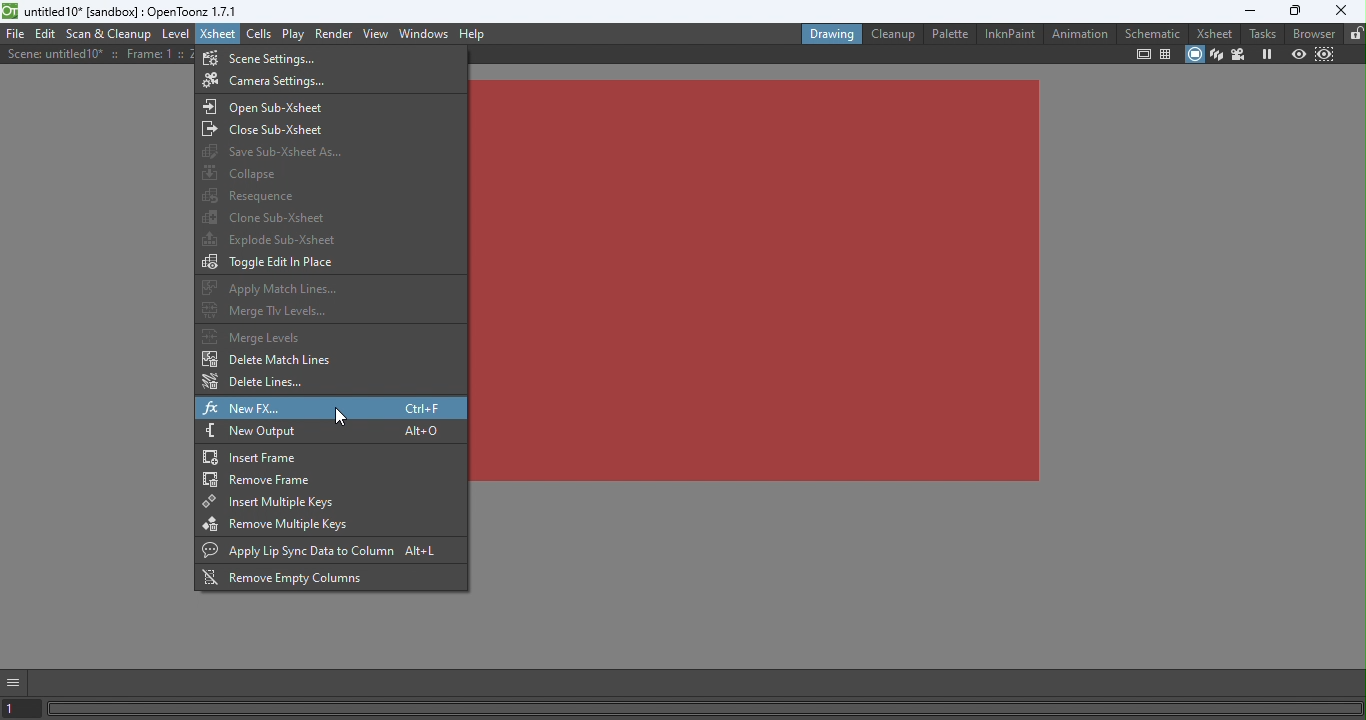 The height and width of the screenshot is (720, 1366). I want to click on Cleanup, so click(892, 33).